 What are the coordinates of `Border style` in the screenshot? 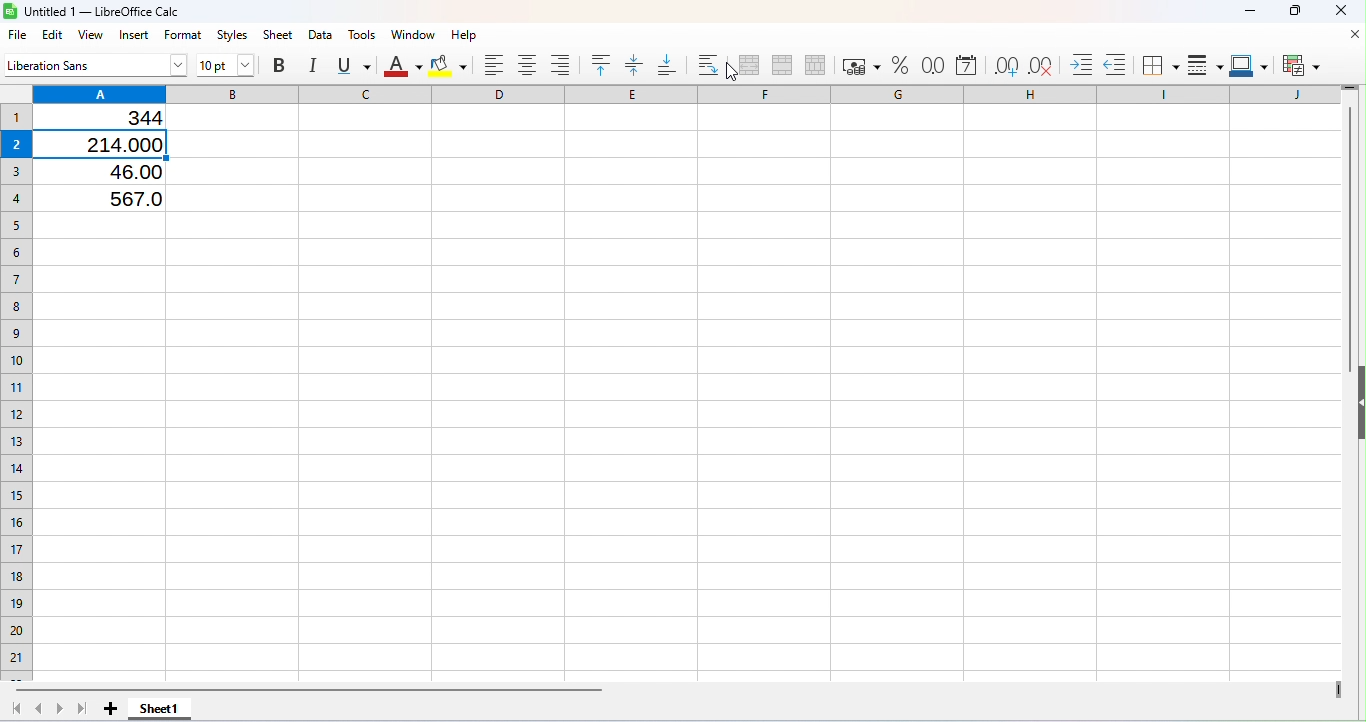 It's located at (1202, 64).